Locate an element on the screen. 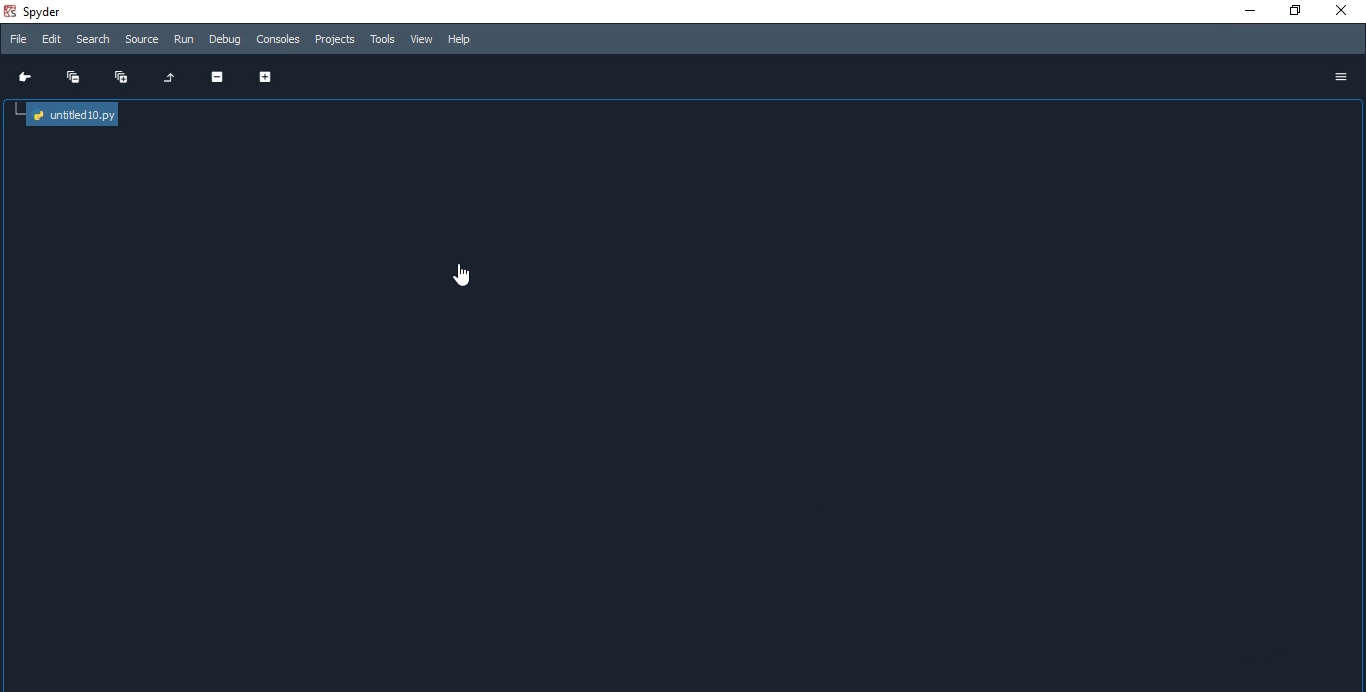  Collapse section is located at coordinates (213, 81).